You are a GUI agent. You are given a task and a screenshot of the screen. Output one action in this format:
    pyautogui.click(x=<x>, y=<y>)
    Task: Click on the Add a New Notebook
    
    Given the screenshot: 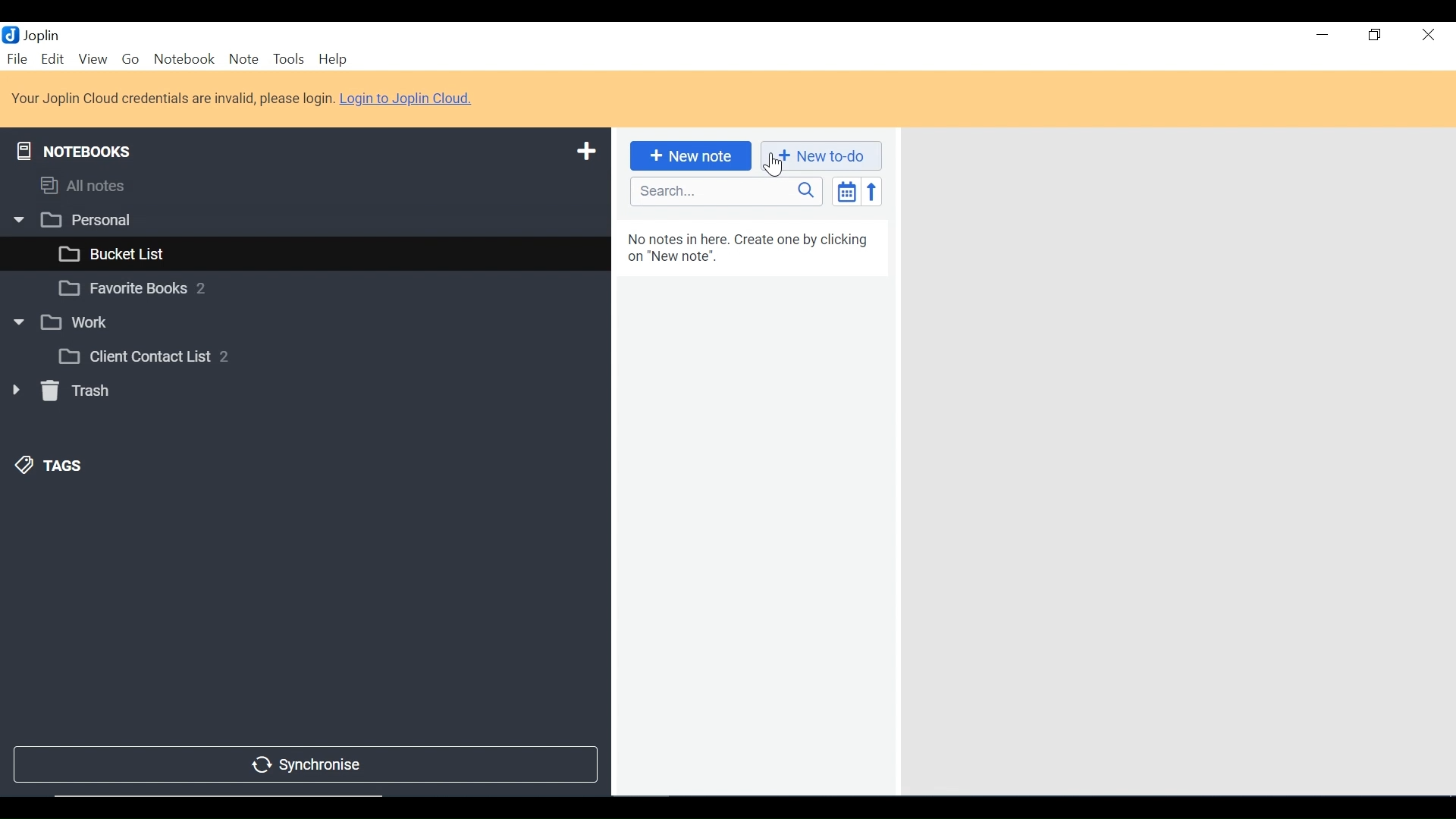 What is the action you would take?
    pyautogui.click(x=588, y=149)
    